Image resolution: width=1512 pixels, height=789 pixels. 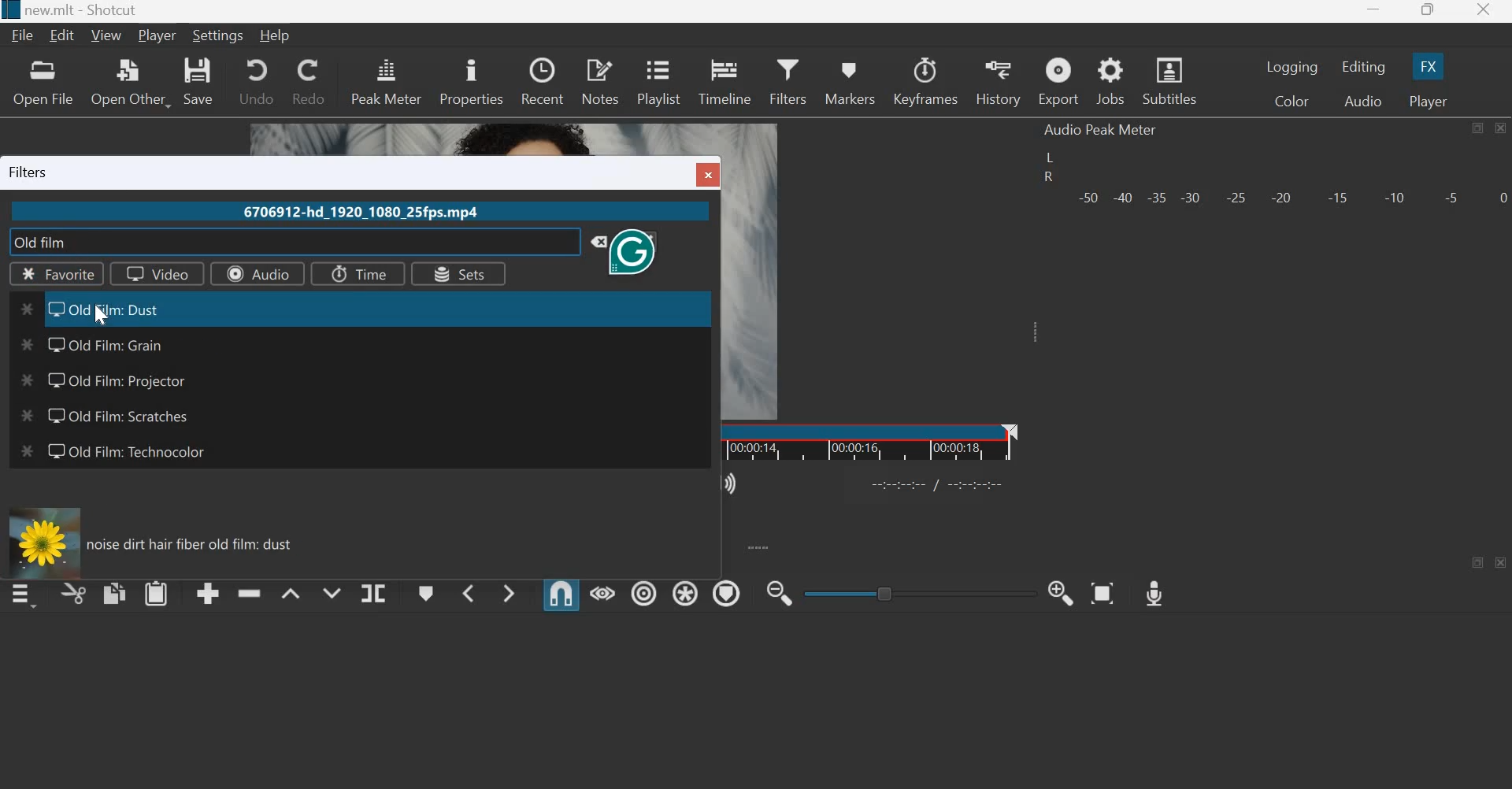 I want to click on Snap, so click(x=561, y=594).